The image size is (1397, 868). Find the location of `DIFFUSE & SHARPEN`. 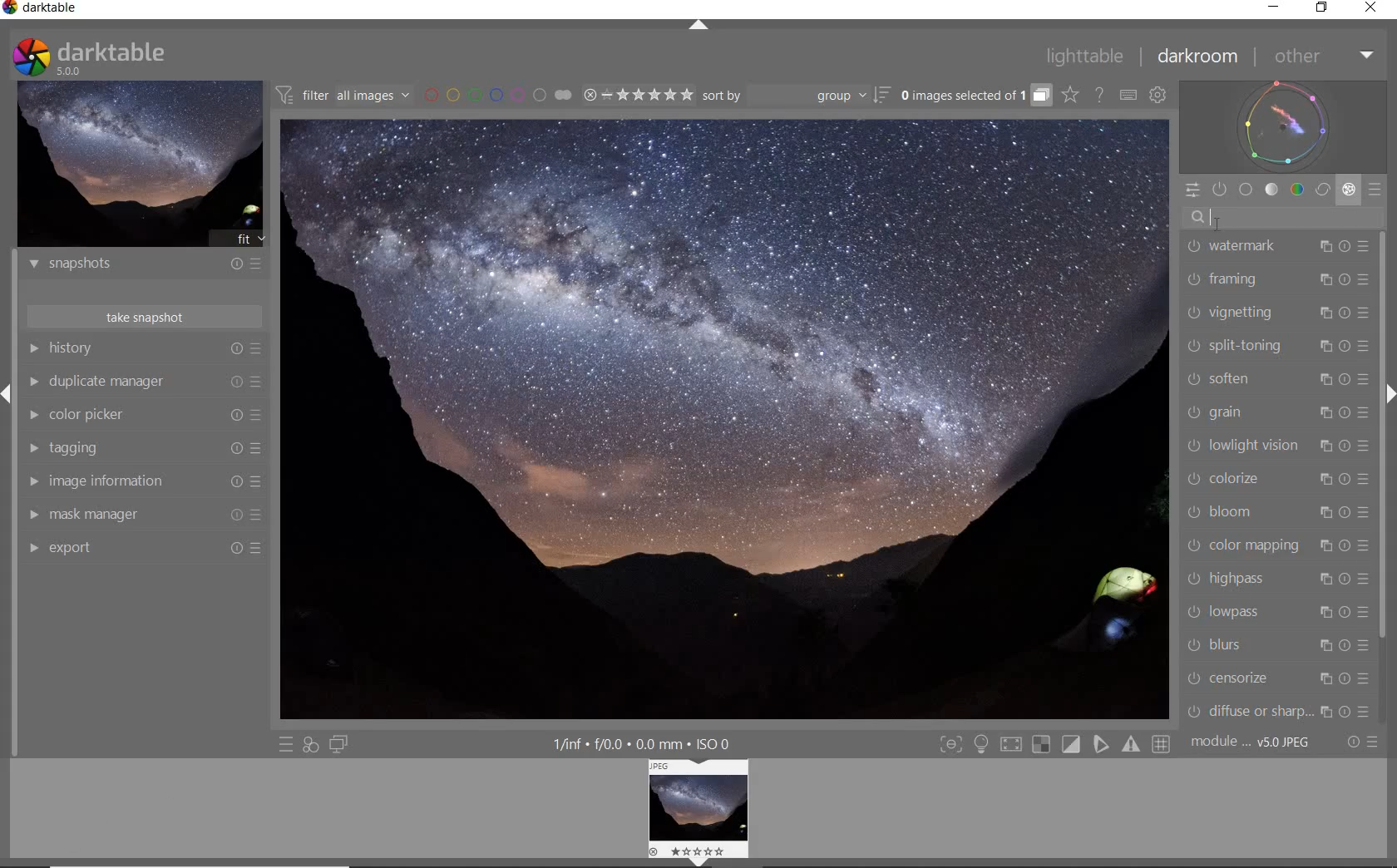

DIFFUSE & SHARPEN is located at coordinates (1246, 711).